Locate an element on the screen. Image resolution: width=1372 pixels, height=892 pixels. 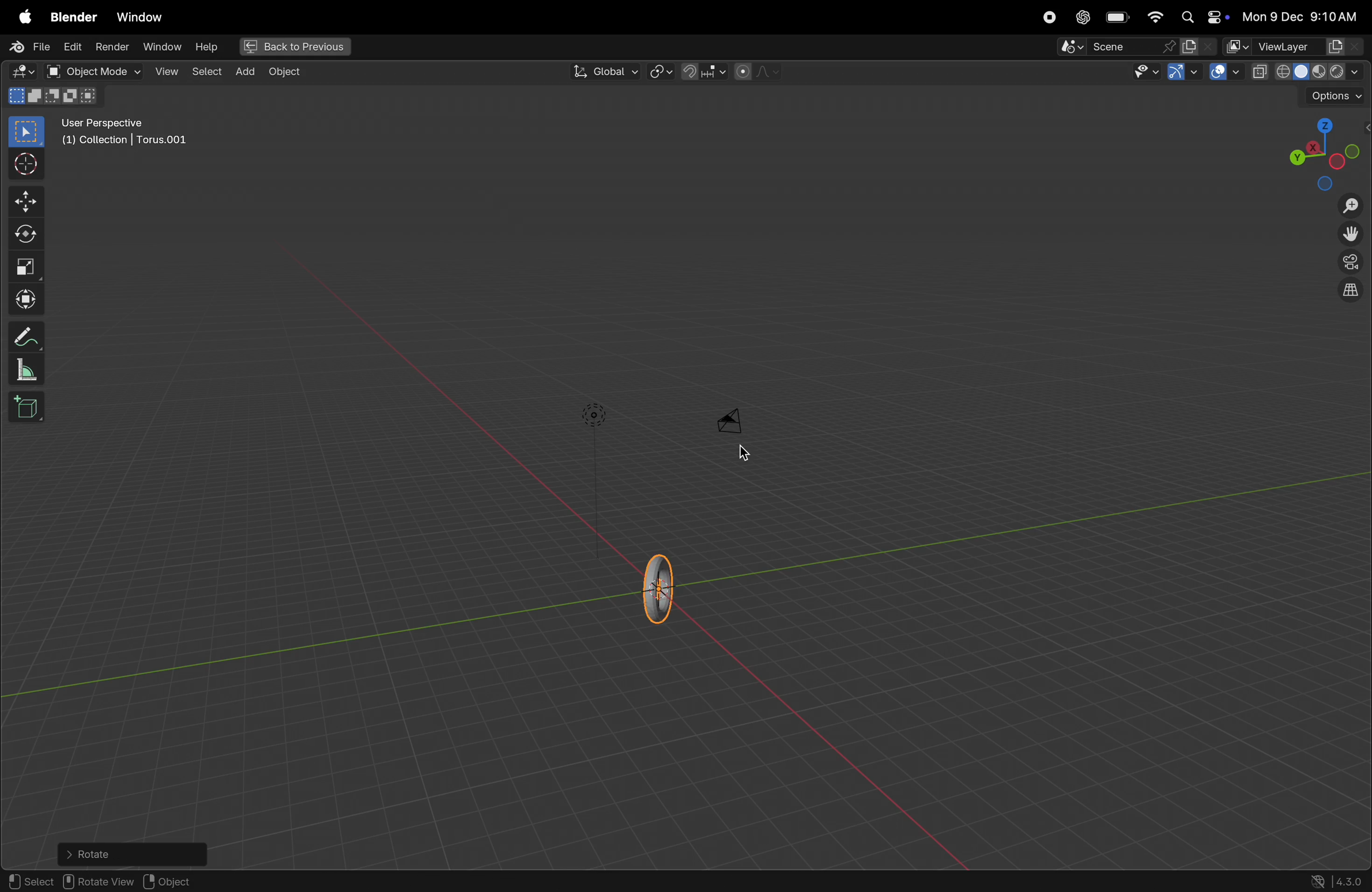
move the view is located at coordinates (1348, 235).